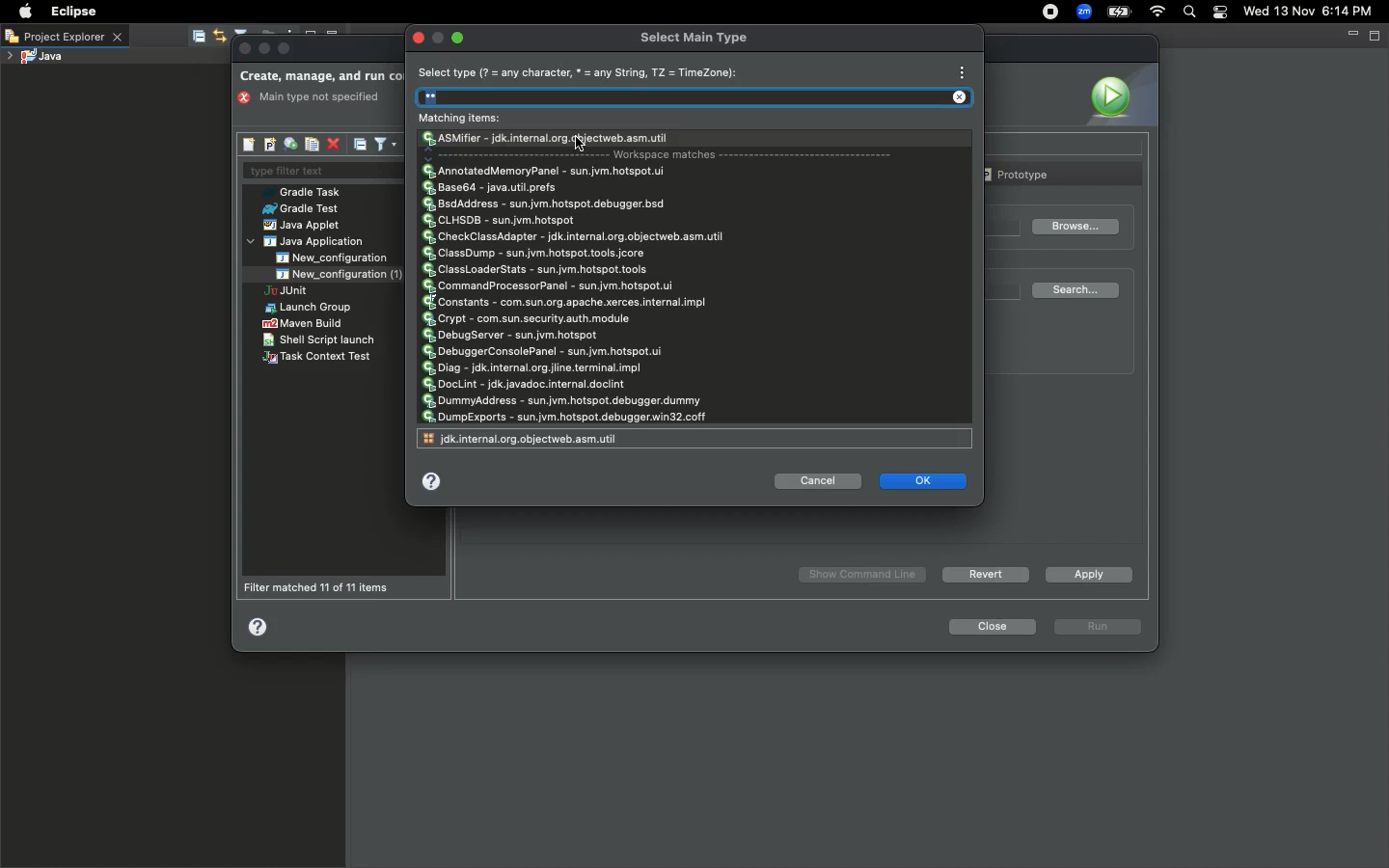 The height and width of the screenshot is (868, 1389). Describe the element at coordinates (437, 483) in the screenshot. I see `Help` at that location.